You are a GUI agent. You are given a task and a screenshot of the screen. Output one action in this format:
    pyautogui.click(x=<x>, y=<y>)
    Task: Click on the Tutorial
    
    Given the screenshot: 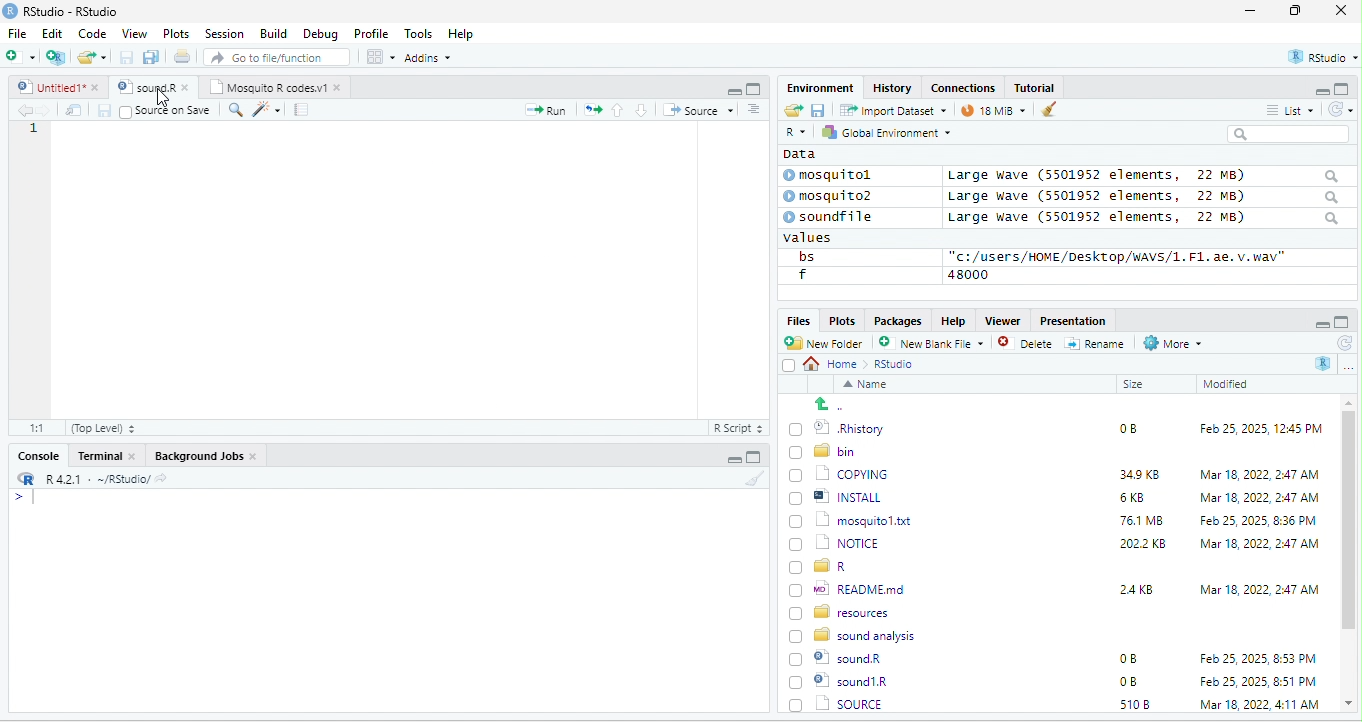 What is the action you would take?
    pyautogui.click(x=1037, y=87)
    